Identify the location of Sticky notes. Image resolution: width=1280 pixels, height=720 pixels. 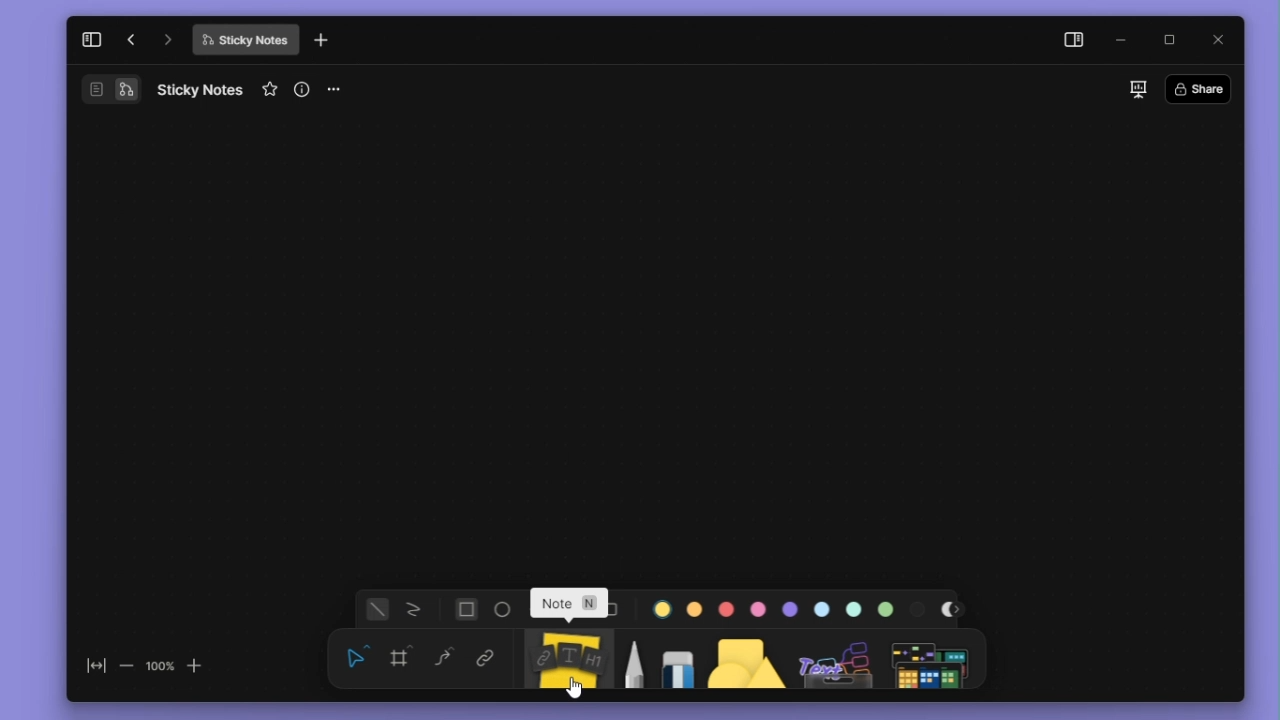
(564, 659).